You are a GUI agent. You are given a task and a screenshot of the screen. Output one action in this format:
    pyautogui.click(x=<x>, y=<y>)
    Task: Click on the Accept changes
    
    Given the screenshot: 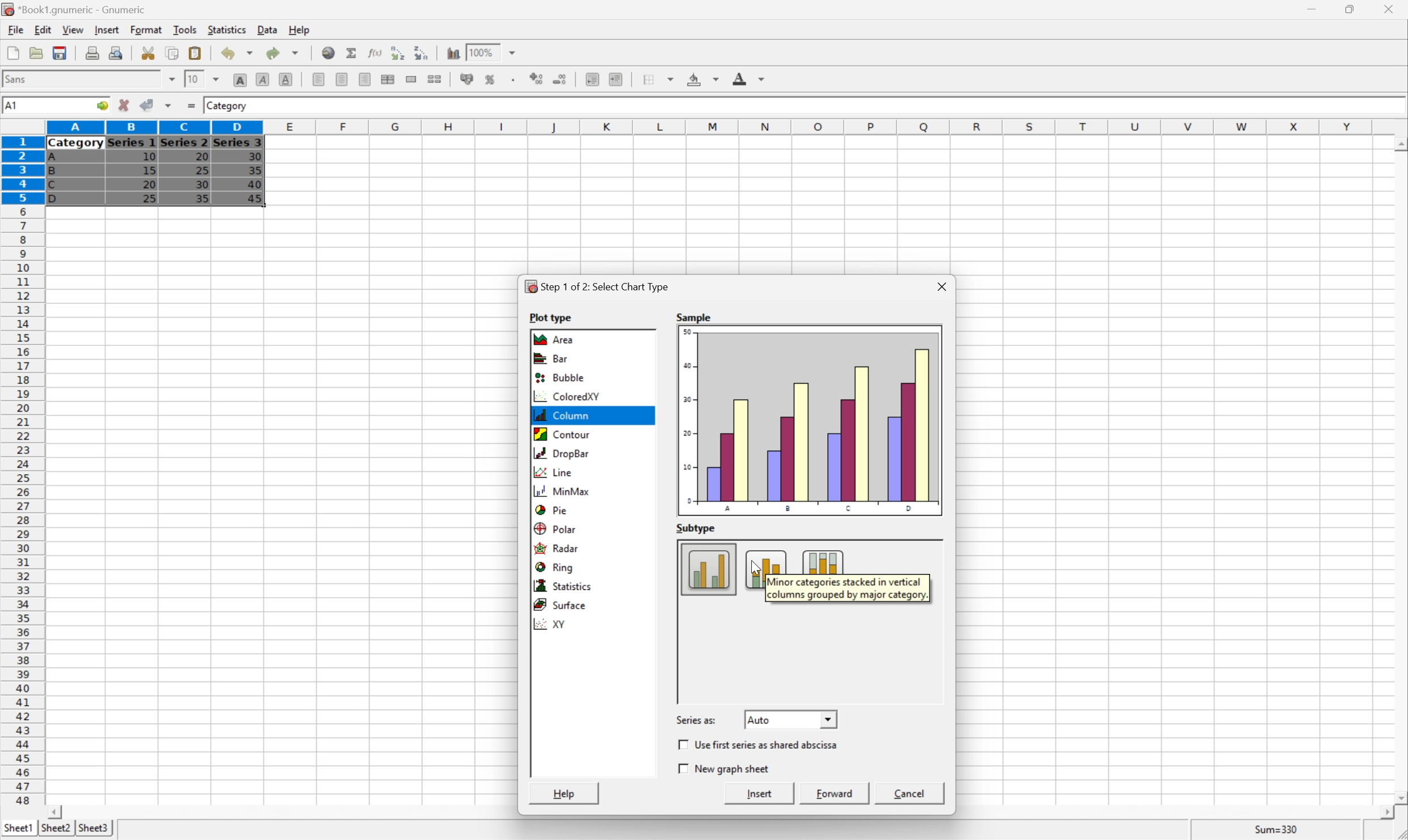 What is the action you would take?
    pyautogui.click(x=145, y=104)
    